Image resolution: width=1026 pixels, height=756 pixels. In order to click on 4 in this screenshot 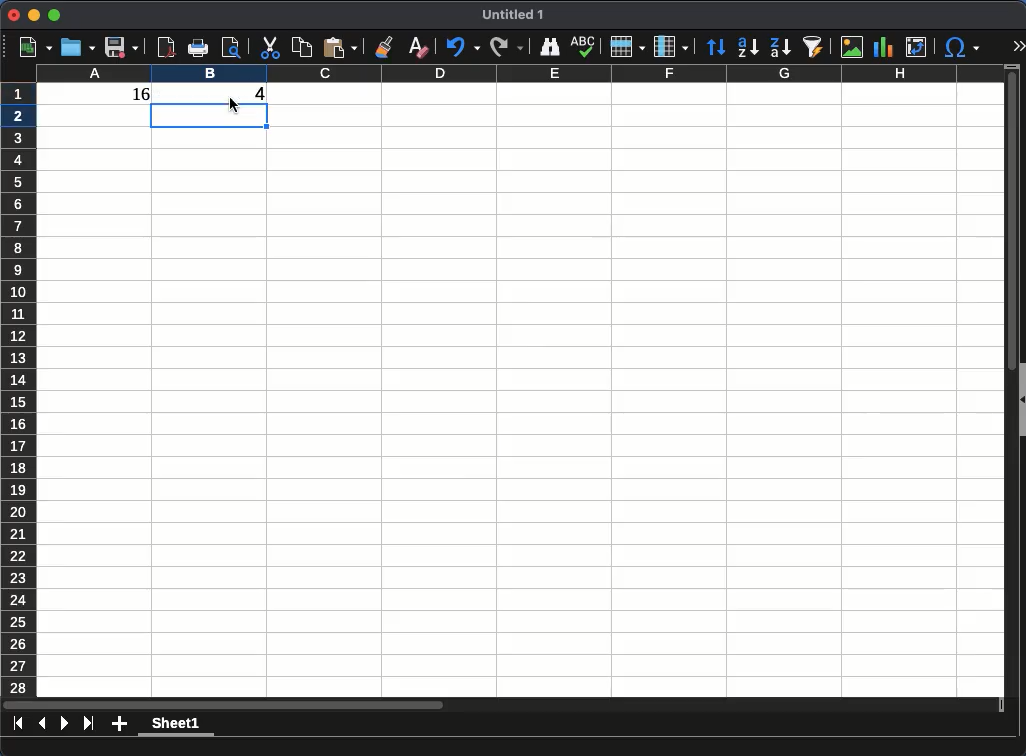, I will do `click(264, 95)`.